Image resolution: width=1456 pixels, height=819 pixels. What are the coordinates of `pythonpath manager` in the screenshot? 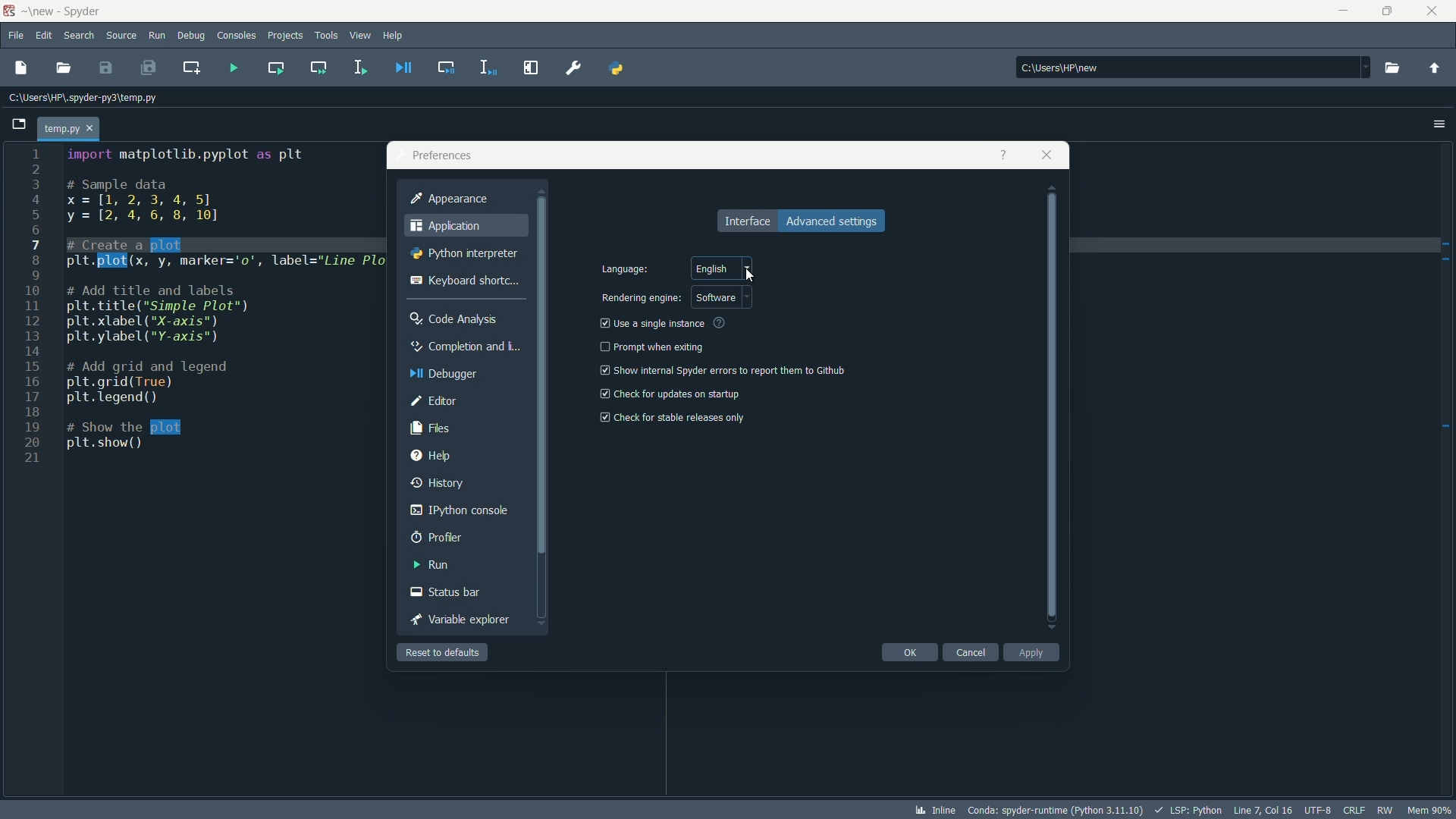 It's located at (615, 67).